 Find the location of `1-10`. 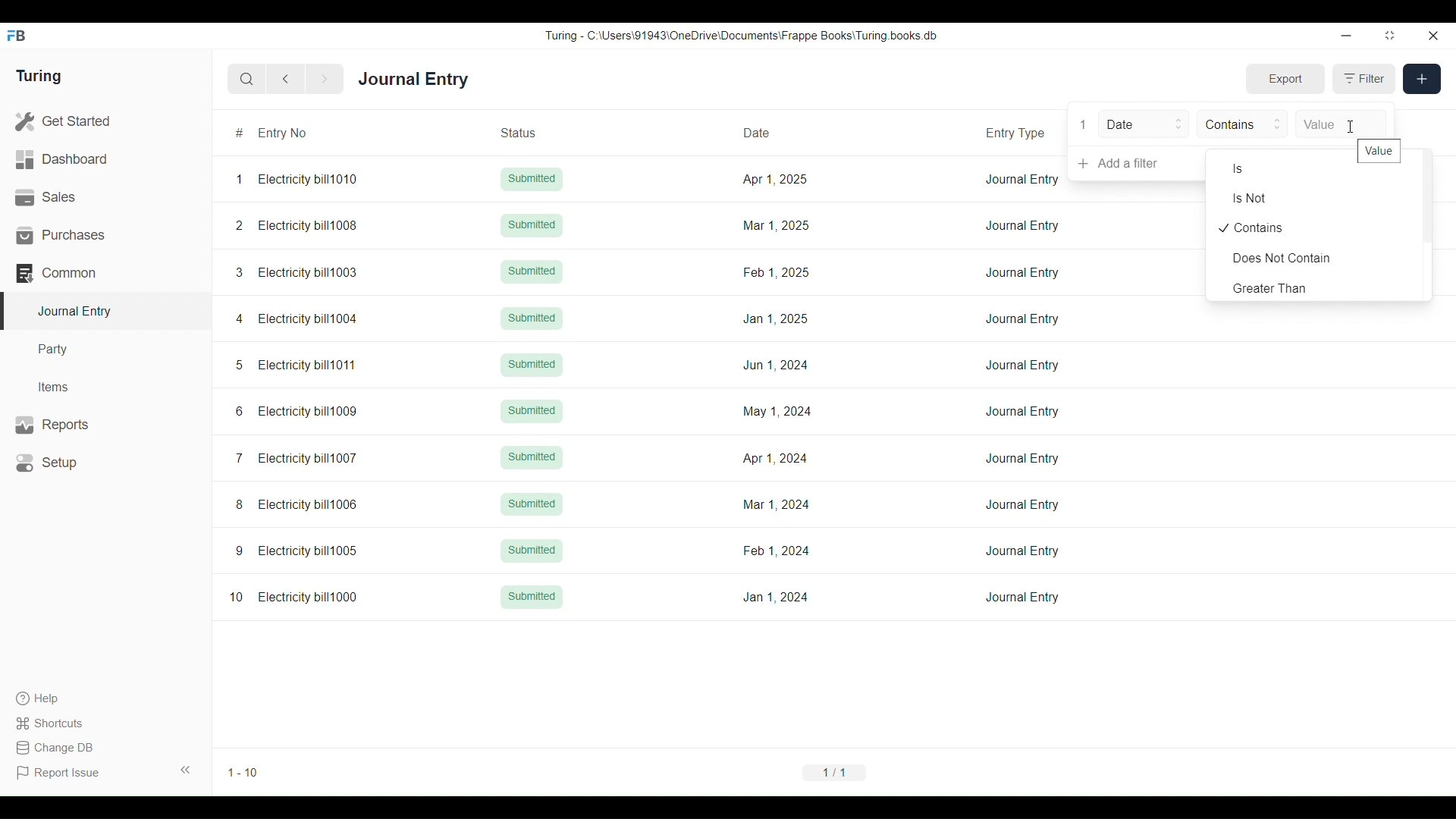

1-10 is located at coordinates (243, 773).